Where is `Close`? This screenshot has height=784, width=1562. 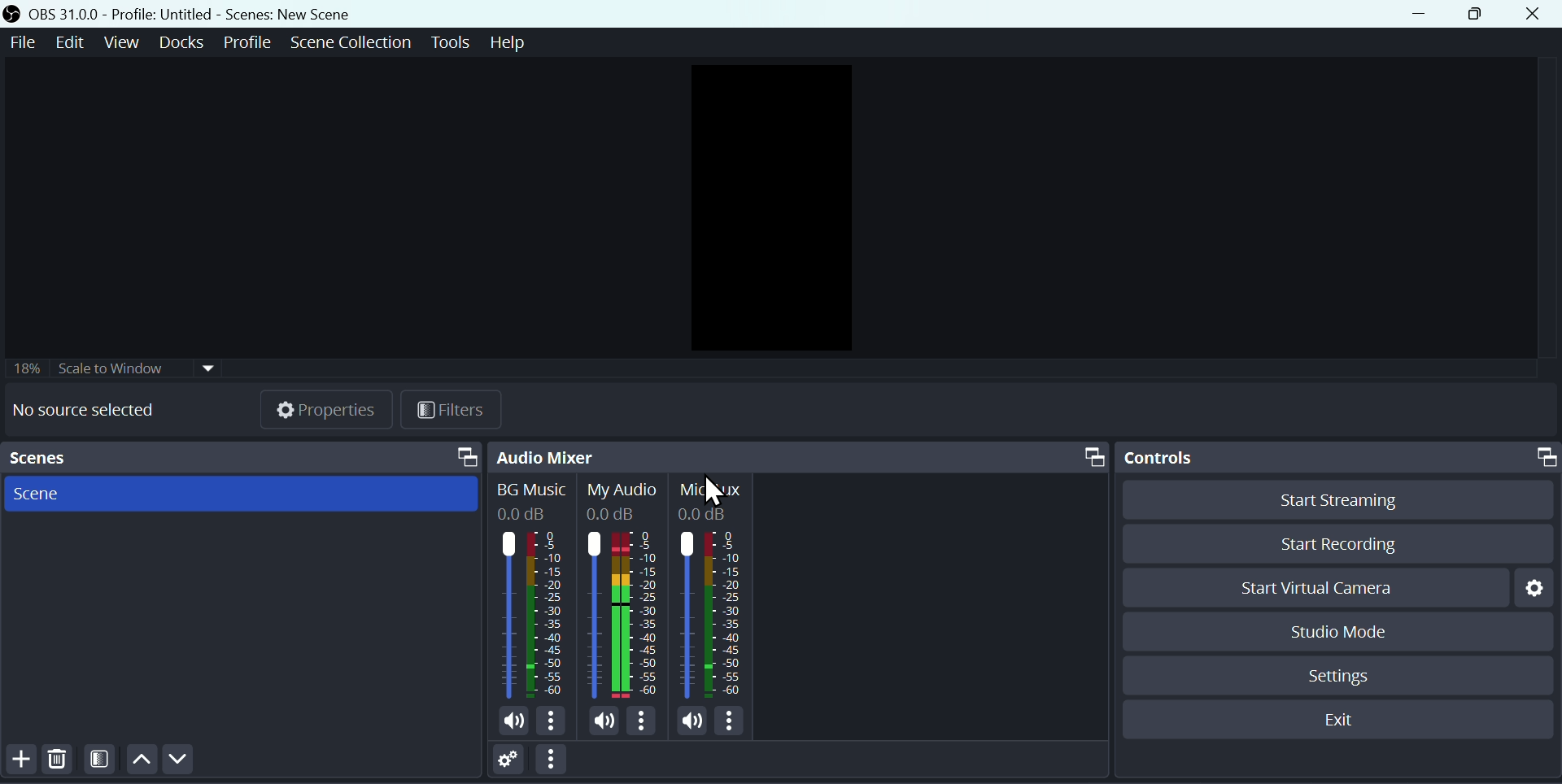
Close is located at coordinates (1537, 15).